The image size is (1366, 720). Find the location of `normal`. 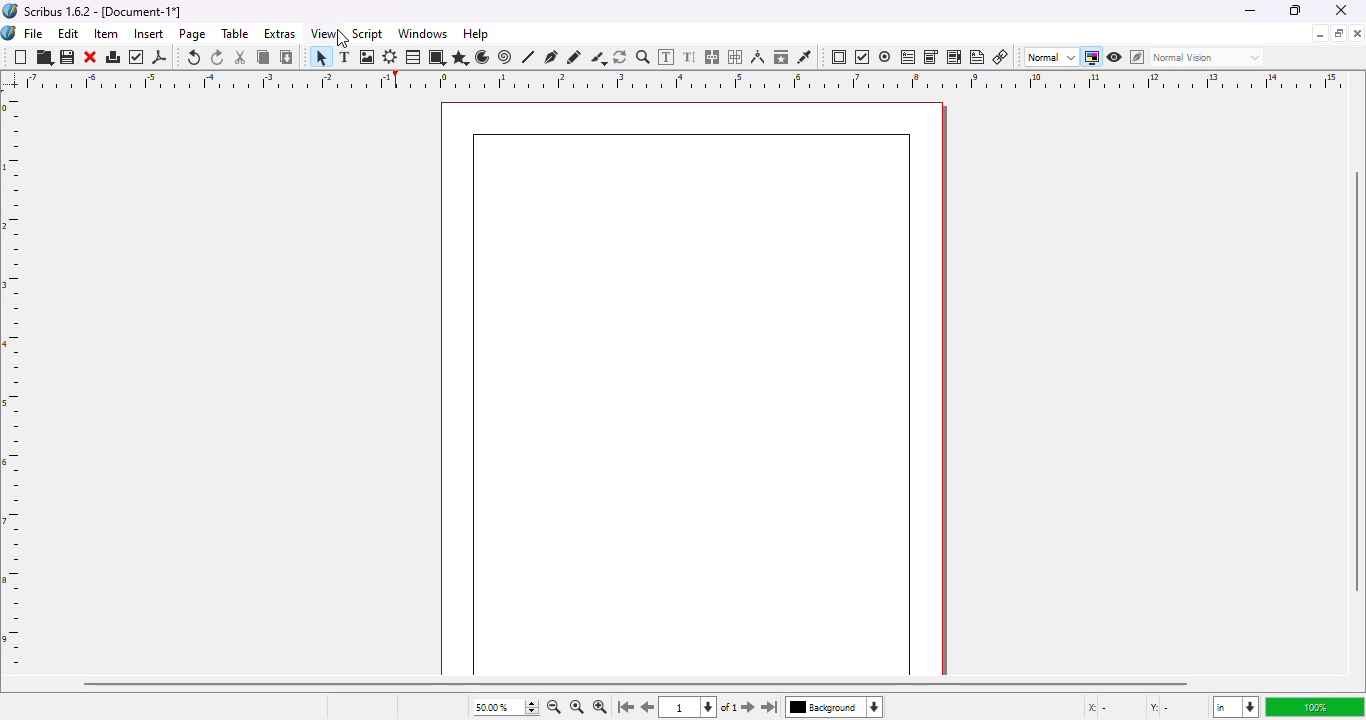

normal is located at coordinates (1050, 57).